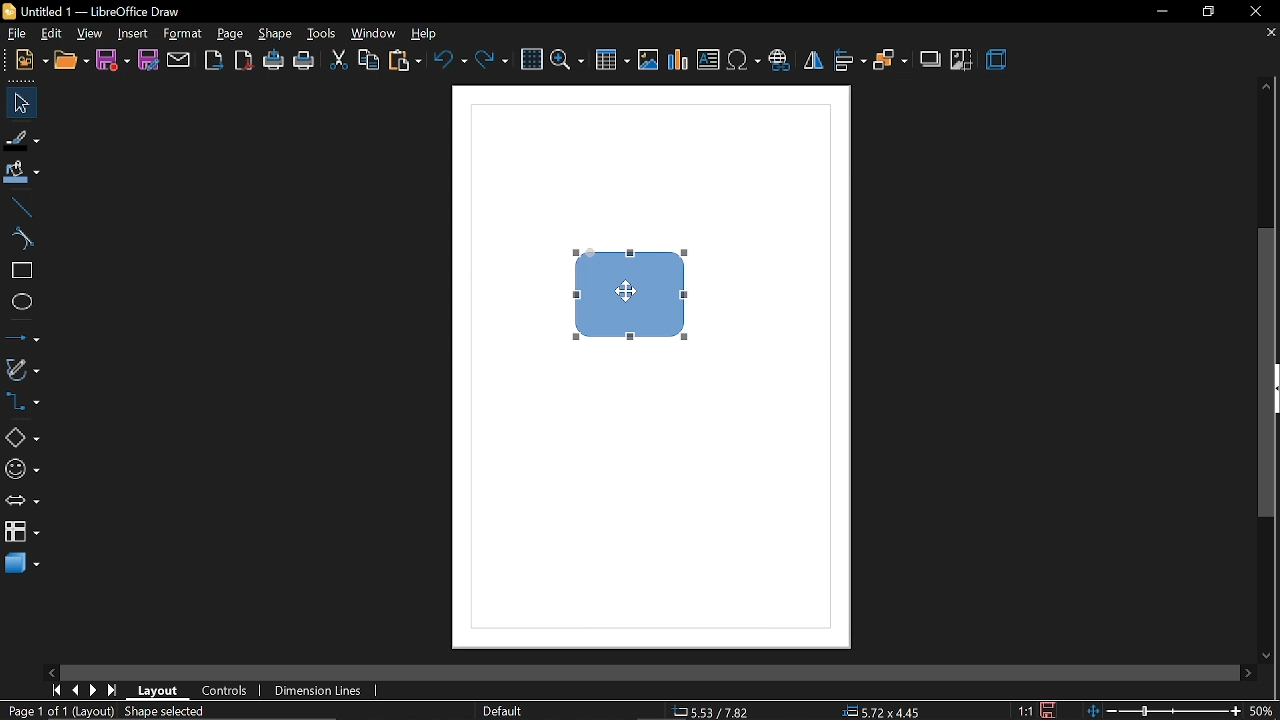 This screenshot has width=1280, height=720. Describe the element at coordinates (21, 500) in the screenshot. I see `arrows` at that location.